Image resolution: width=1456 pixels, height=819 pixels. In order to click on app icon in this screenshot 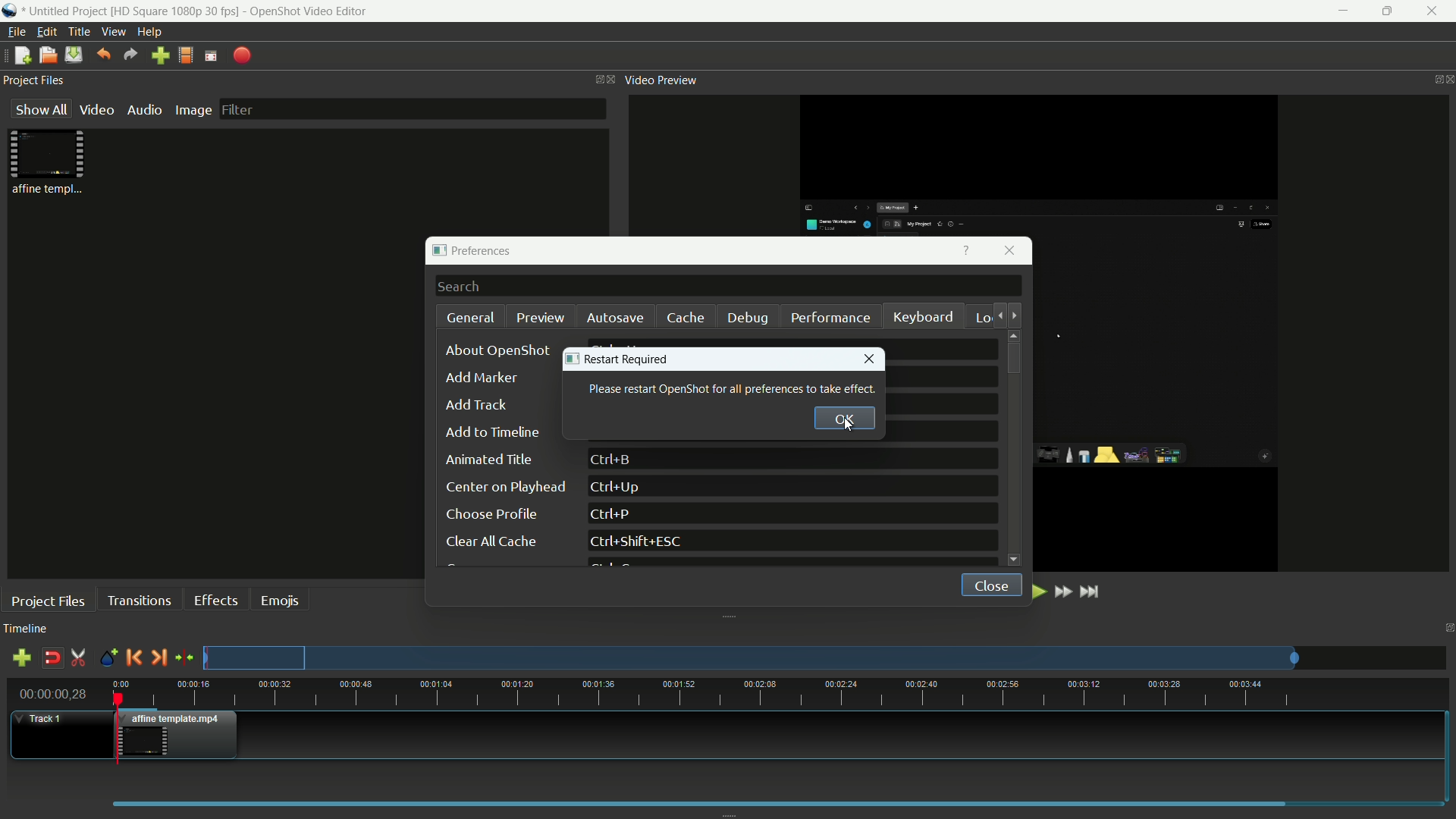, I will do `click(11, 12)`.